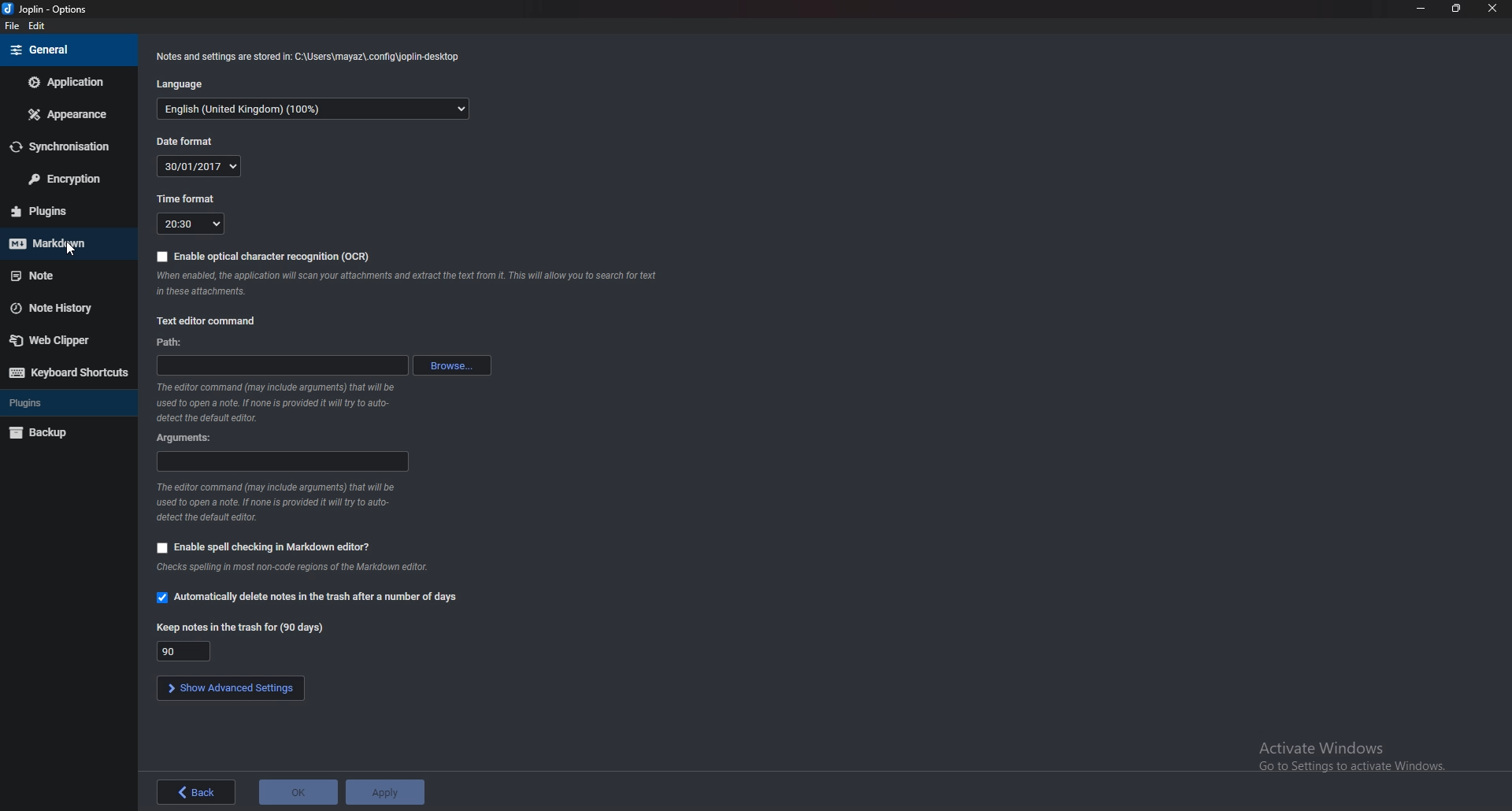 This screenshot has width=1512, height=811. I want to click on mark down, so click(65, 243).